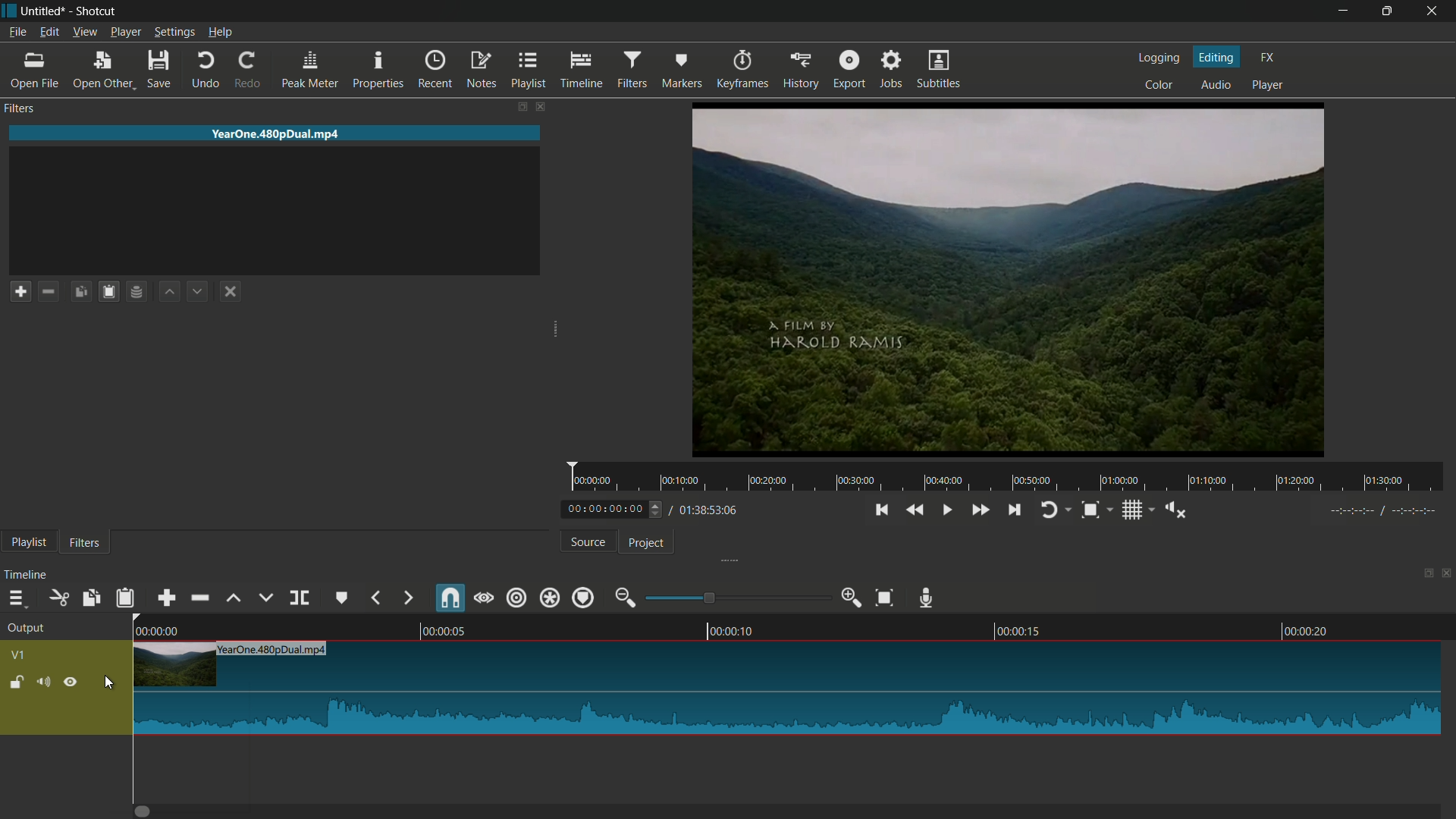 The height and width of the screenshot is (819, 1456). Describe the element at coordinates (893, 71) in the screenshot. I see `jobs` at that location.